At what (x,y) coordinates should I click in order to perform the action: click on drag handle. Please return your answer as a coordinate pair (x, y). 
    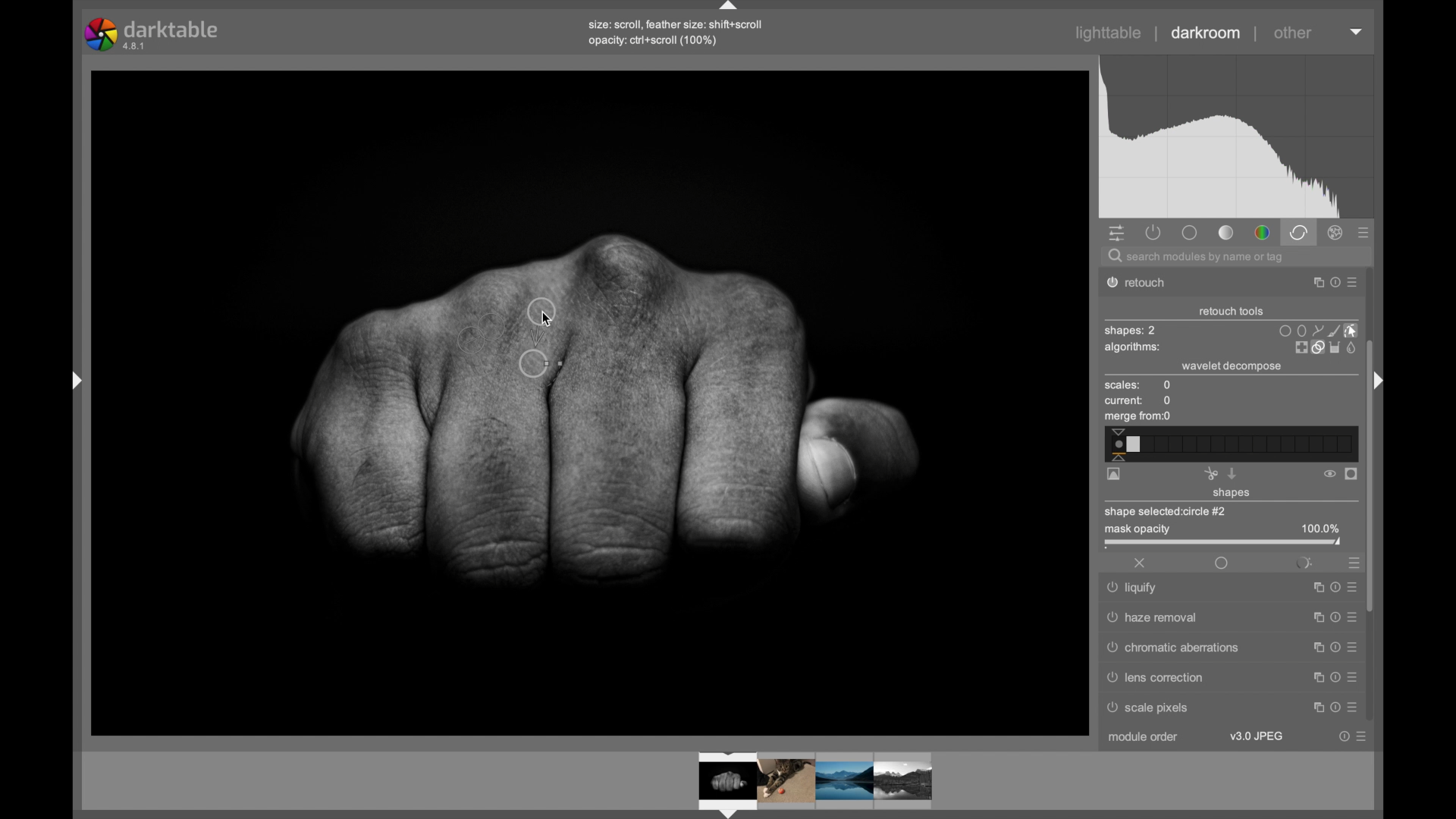
    Looking at the image, I should click on (71, 379).